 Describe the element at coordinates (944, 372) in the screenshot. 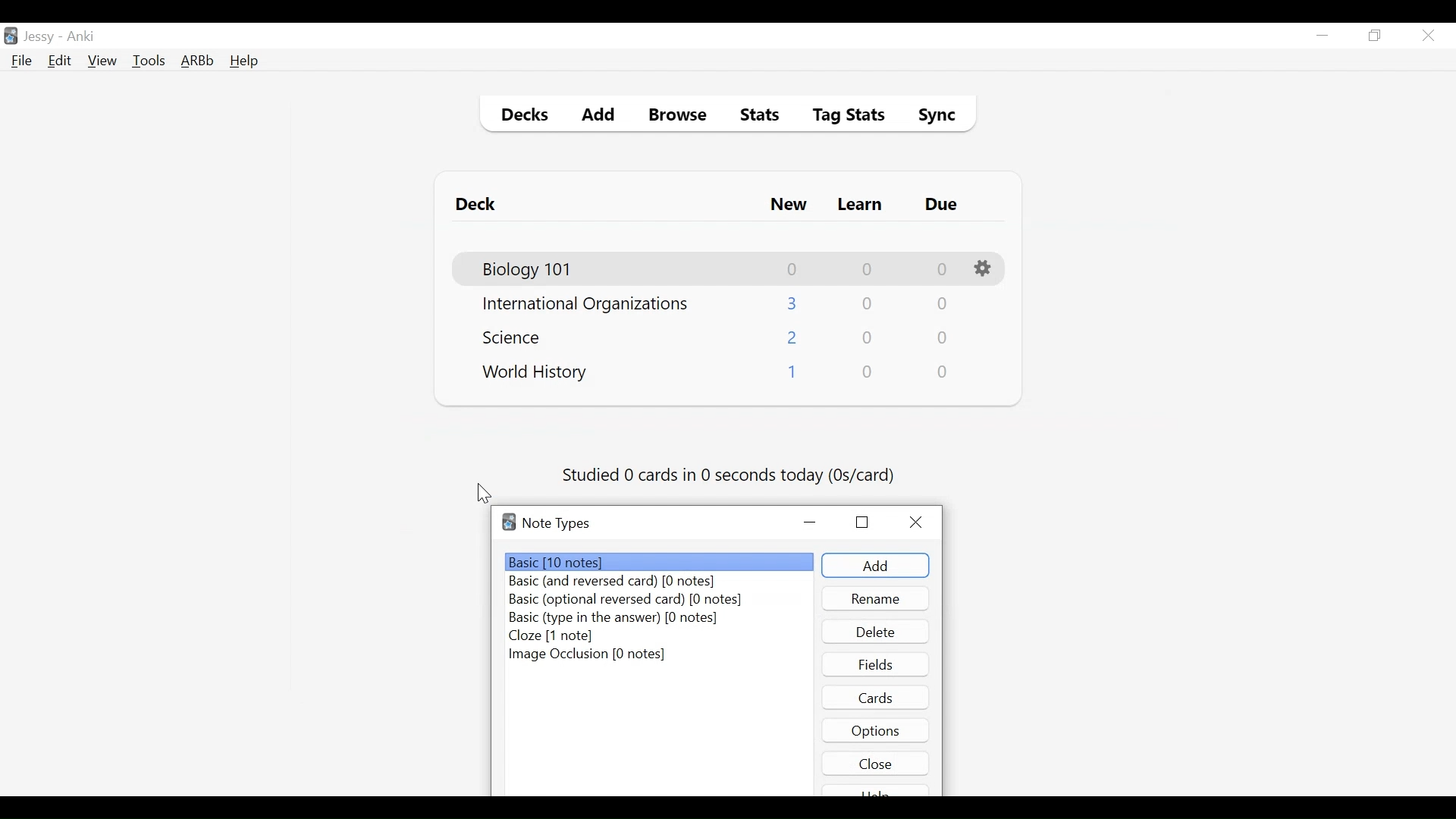

I see `Due Card Count` at that location.